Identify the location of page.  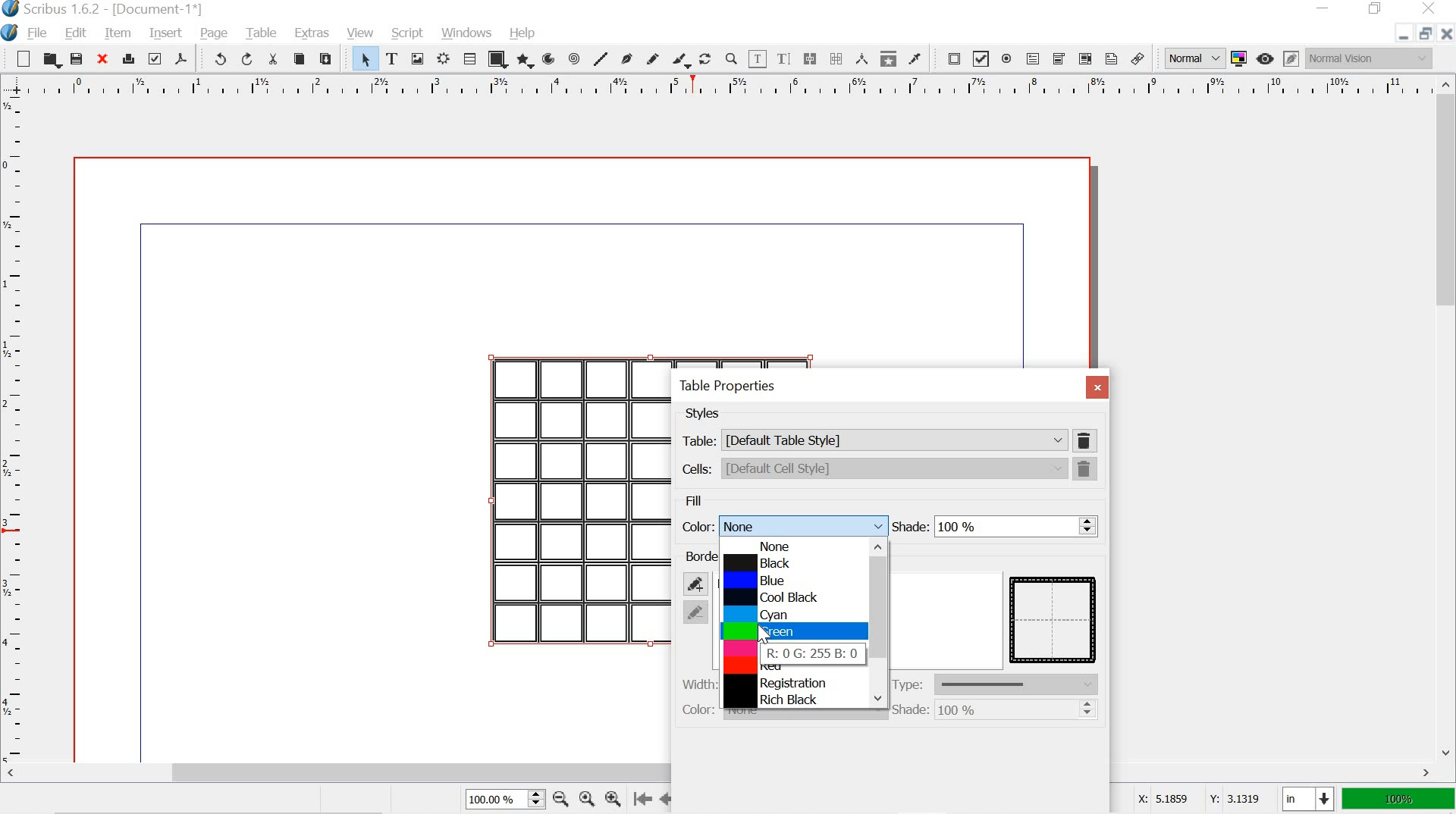
(215, 33).